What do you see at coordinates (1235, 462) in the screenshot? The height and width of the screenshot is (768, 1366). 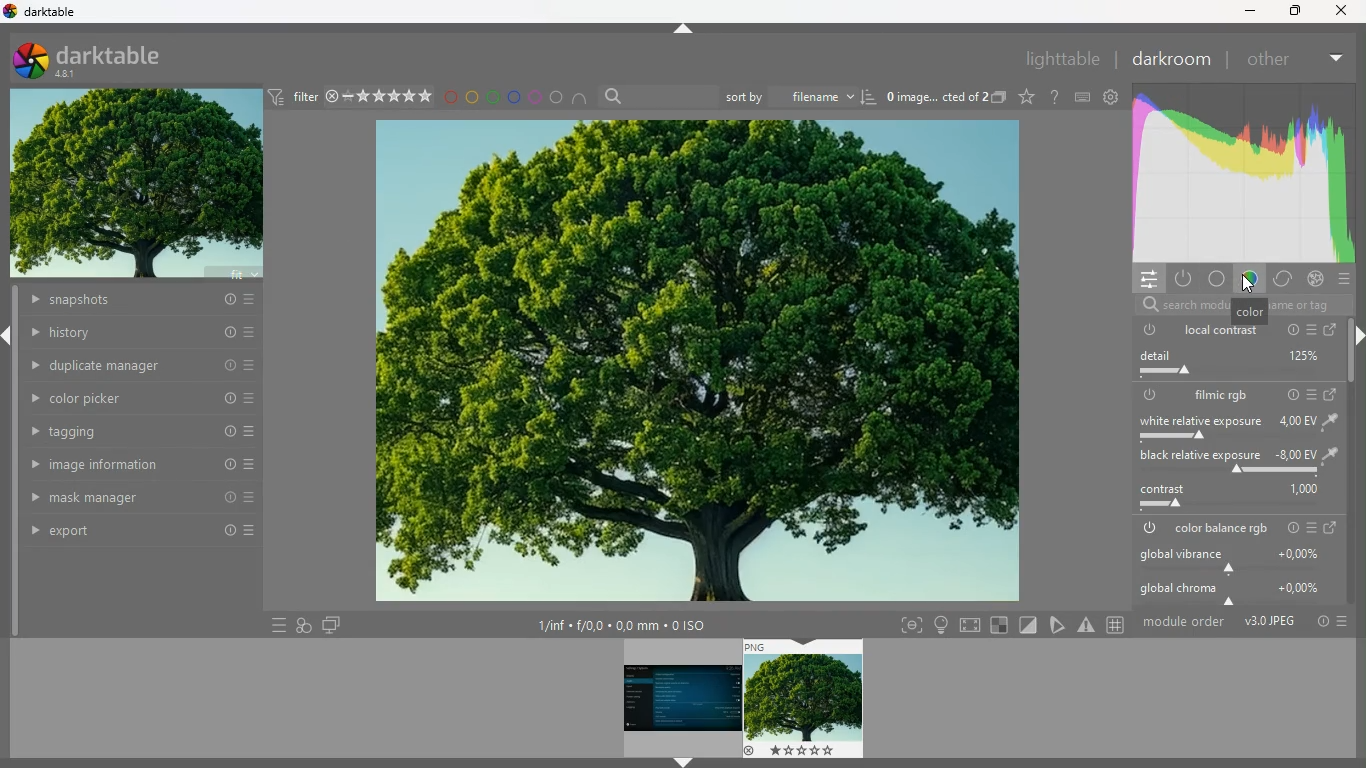 I see `black relative exposure` at bounding box center [1235, 462].